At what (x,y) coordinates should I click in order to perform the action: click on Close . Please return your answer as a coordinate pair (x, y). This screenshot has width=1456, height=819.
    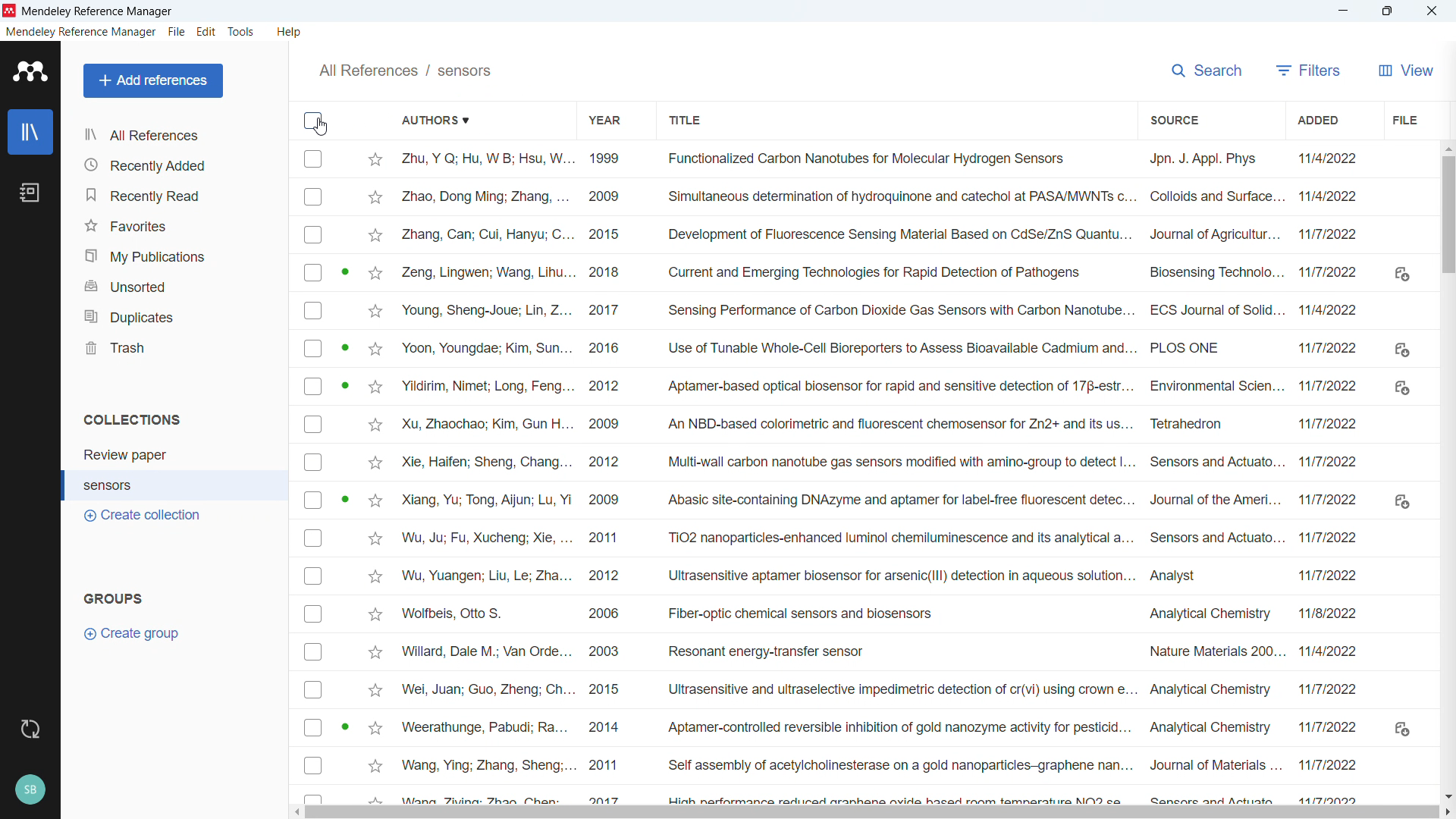
    Looking at the image, I should click on (1430, 10).